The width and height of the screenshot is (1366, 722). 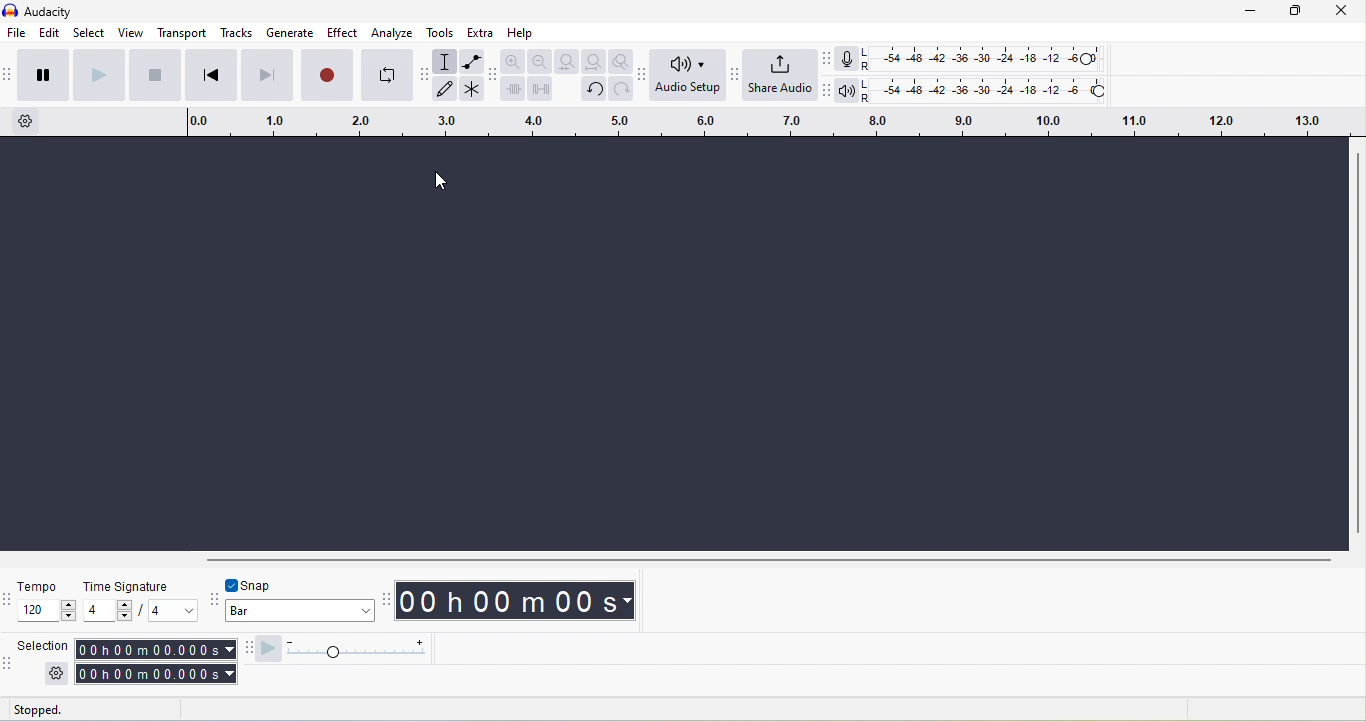 I want to click on playback level, so click(x=984, y=91).